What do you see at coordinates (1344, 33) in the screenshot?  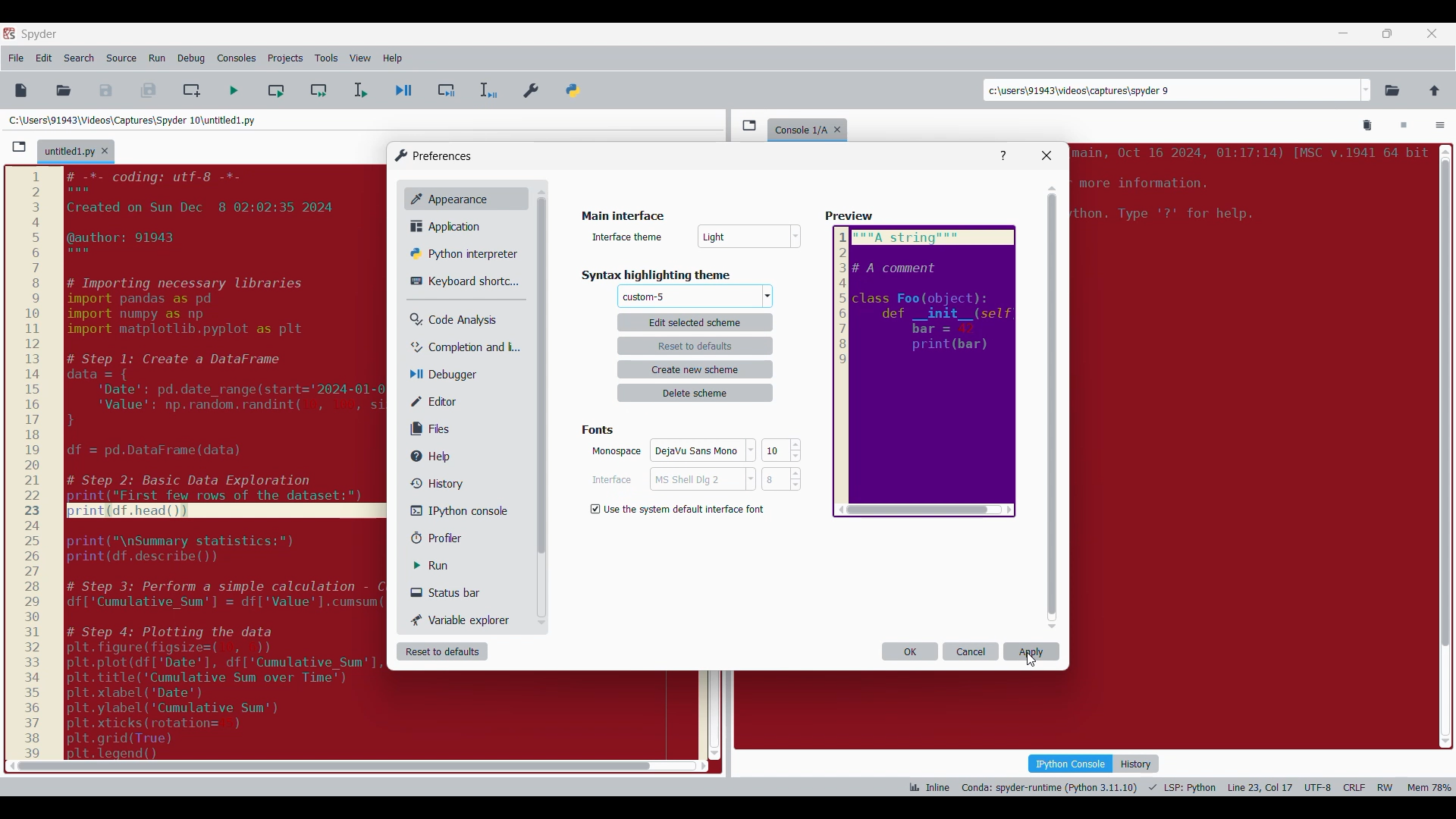 I see `Minimize` at bounding box center [1344, 33].